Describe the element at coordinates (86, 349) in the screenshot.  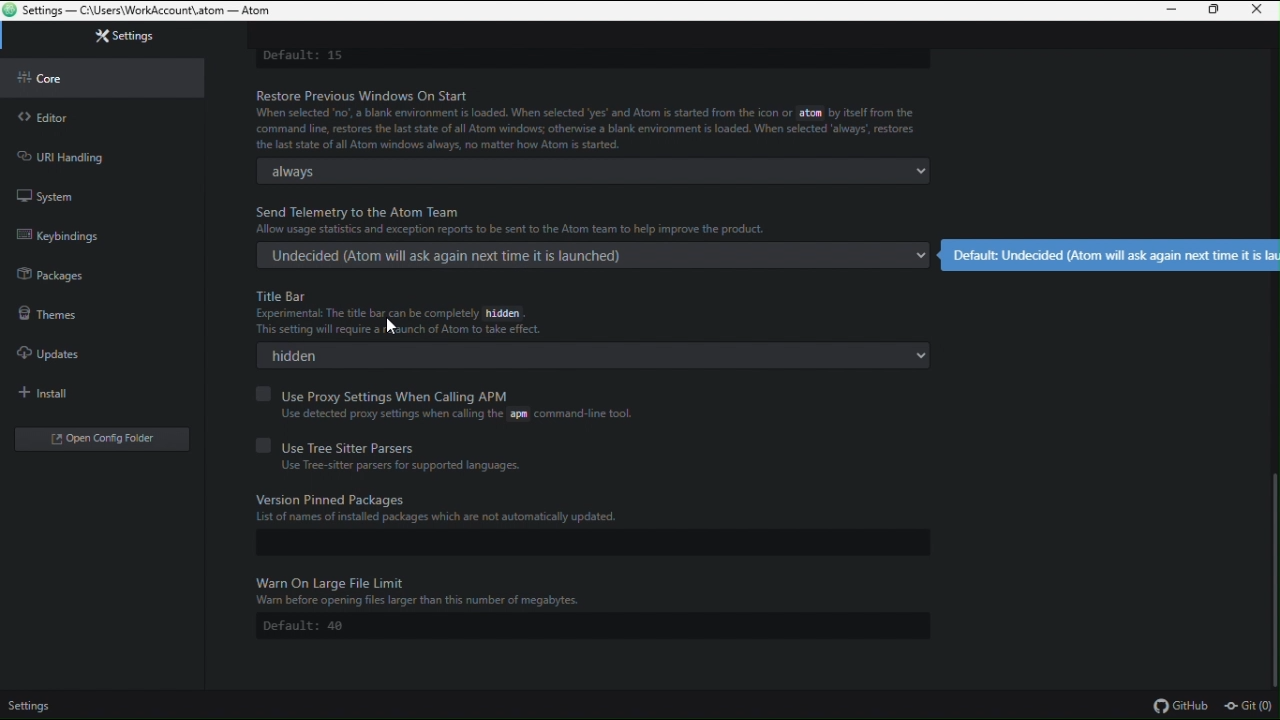
I see `updates` at that location.